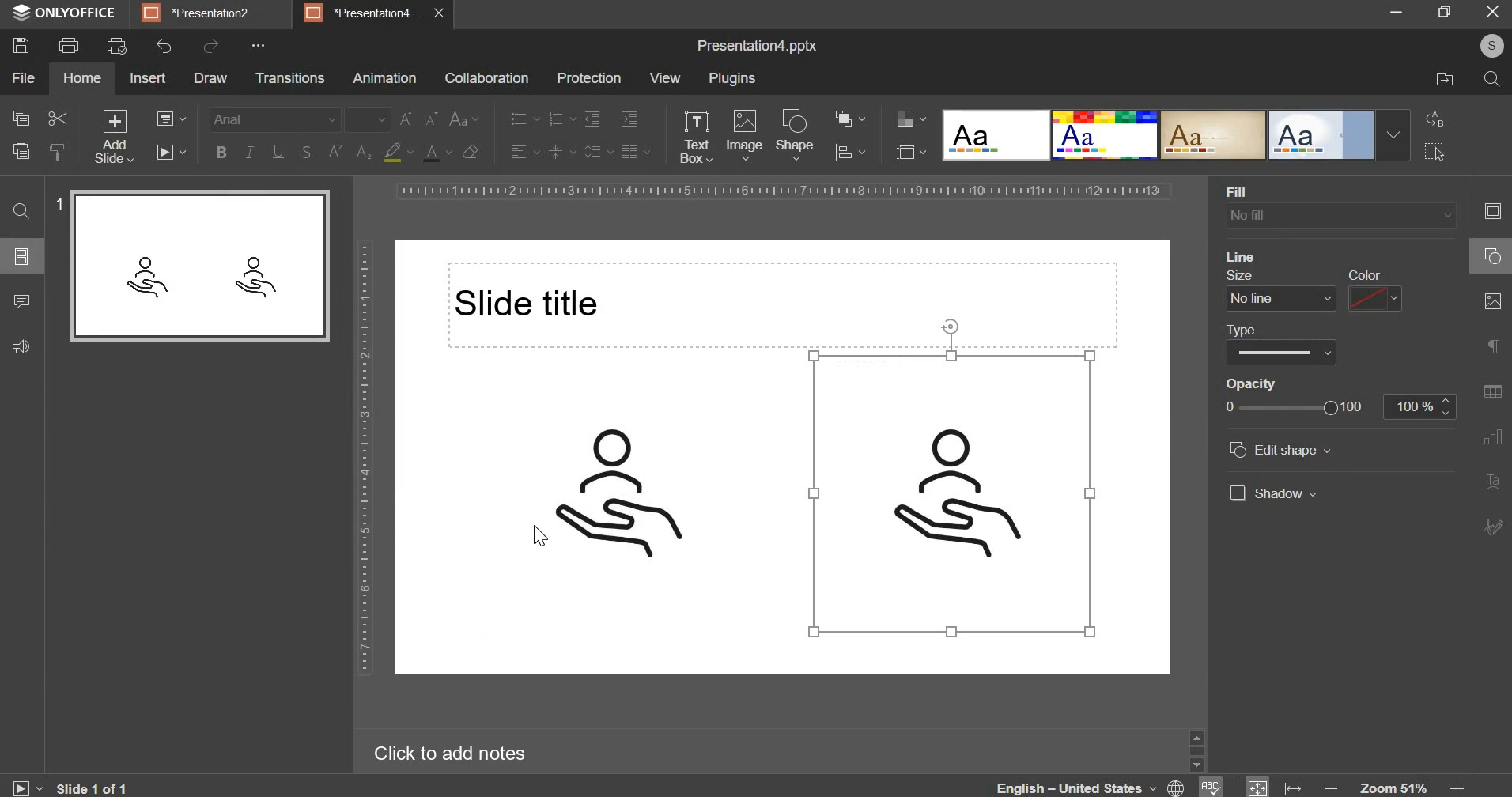 This screenshot has width=1512, height=797. Describe the element at coordinates (1106, 136) in the screenshot. I see `design` at that location.